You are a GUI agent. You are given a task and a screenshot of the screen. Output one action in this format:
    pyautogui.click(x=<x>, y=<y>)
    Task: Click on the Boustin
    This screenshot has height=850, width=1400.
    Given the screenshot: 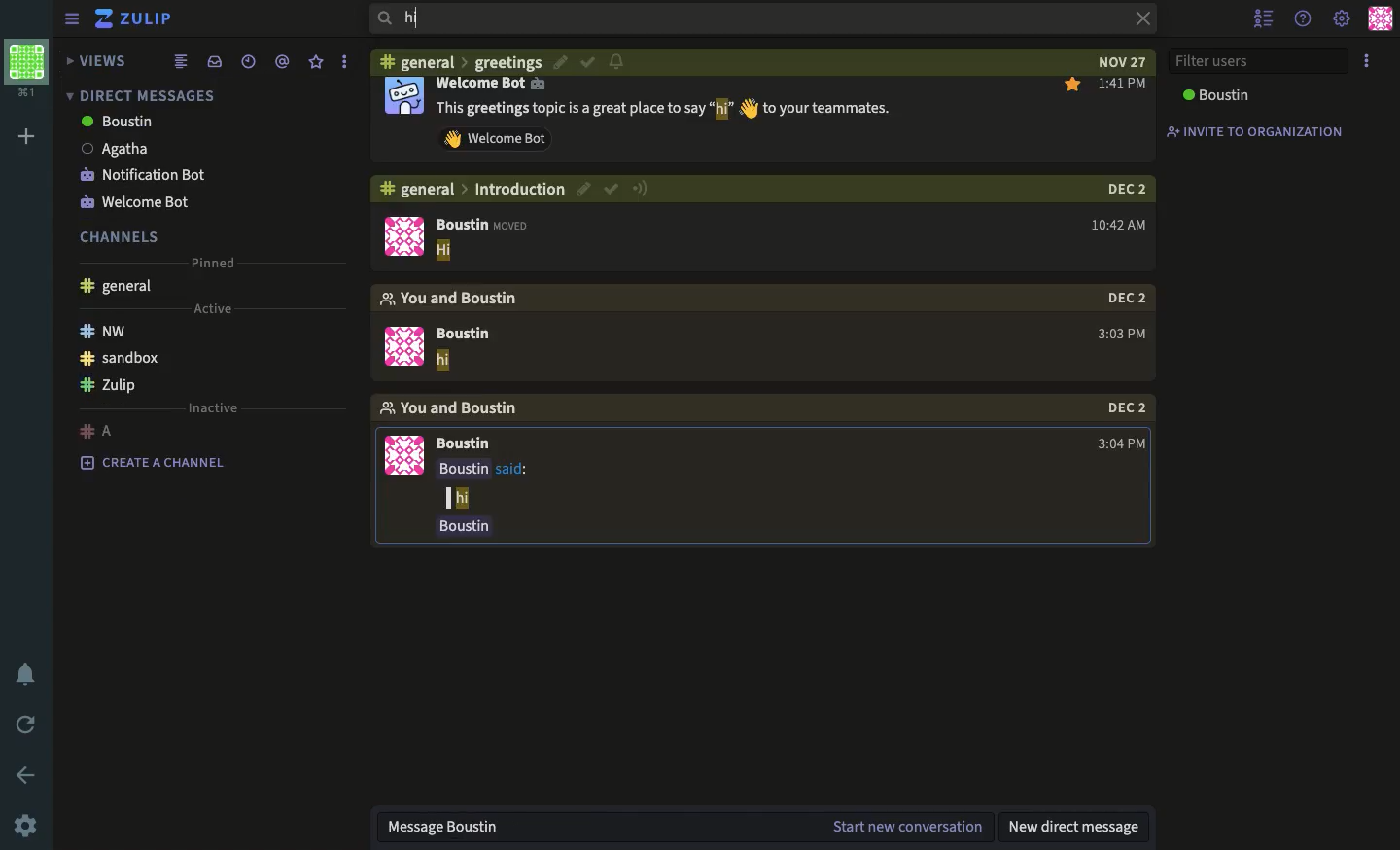 What is the action you would take?
    pyautogui.click(x=470, y=331)
    